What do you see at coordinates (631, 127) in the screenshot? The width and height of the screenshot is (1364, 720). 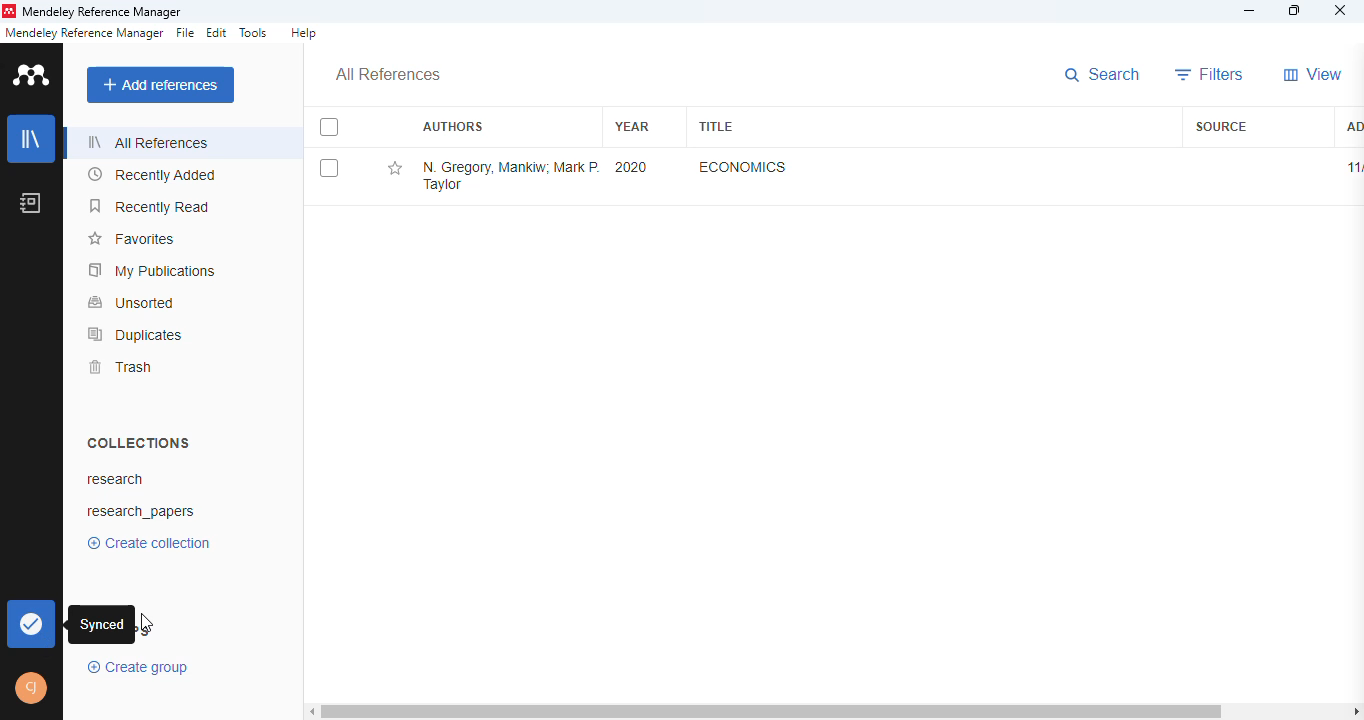 I see `year` at bounding box center [631, 127].